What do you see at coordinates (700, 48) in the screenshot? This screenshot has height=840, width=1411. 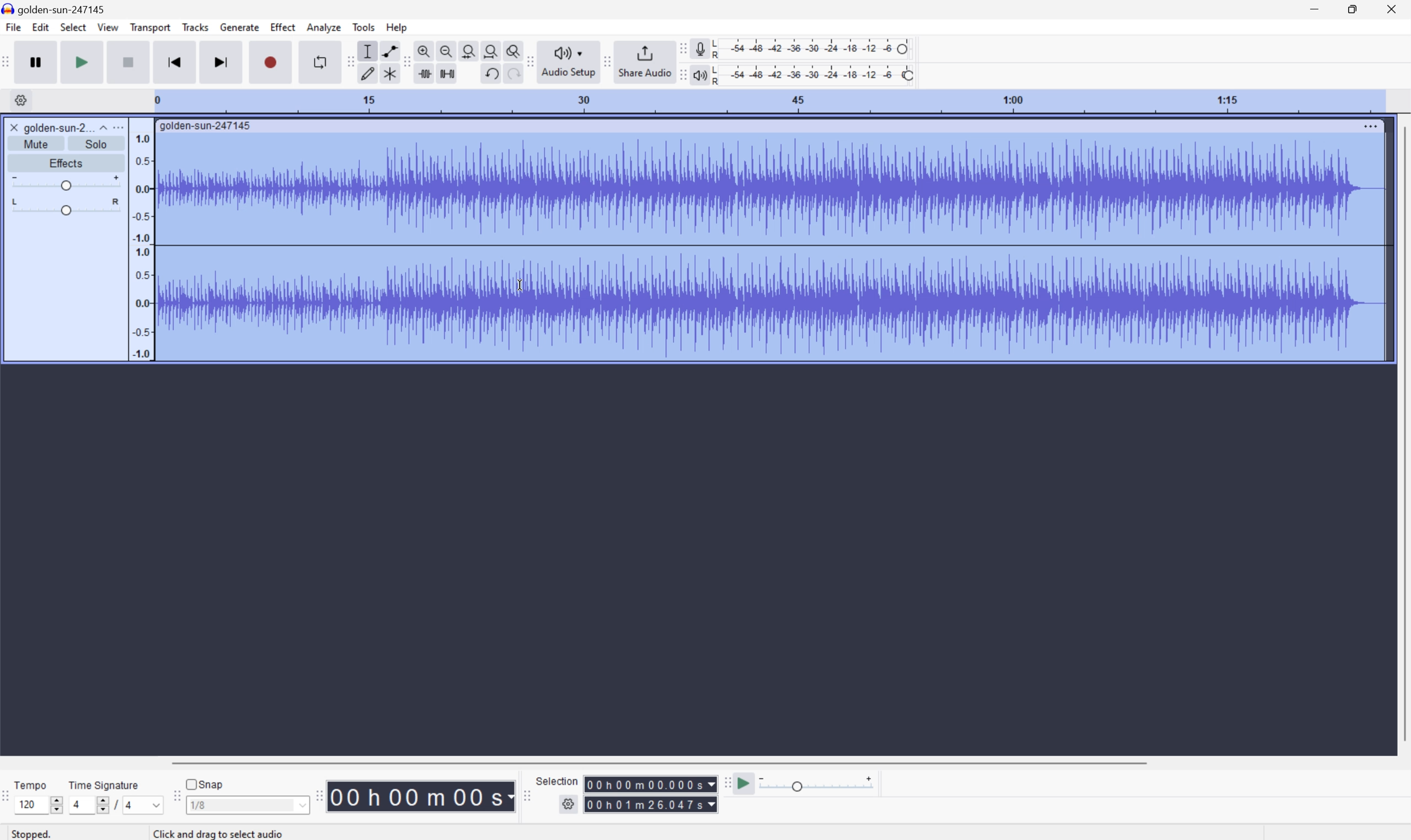 I see `Record meter` at bounding box center [700, 48].